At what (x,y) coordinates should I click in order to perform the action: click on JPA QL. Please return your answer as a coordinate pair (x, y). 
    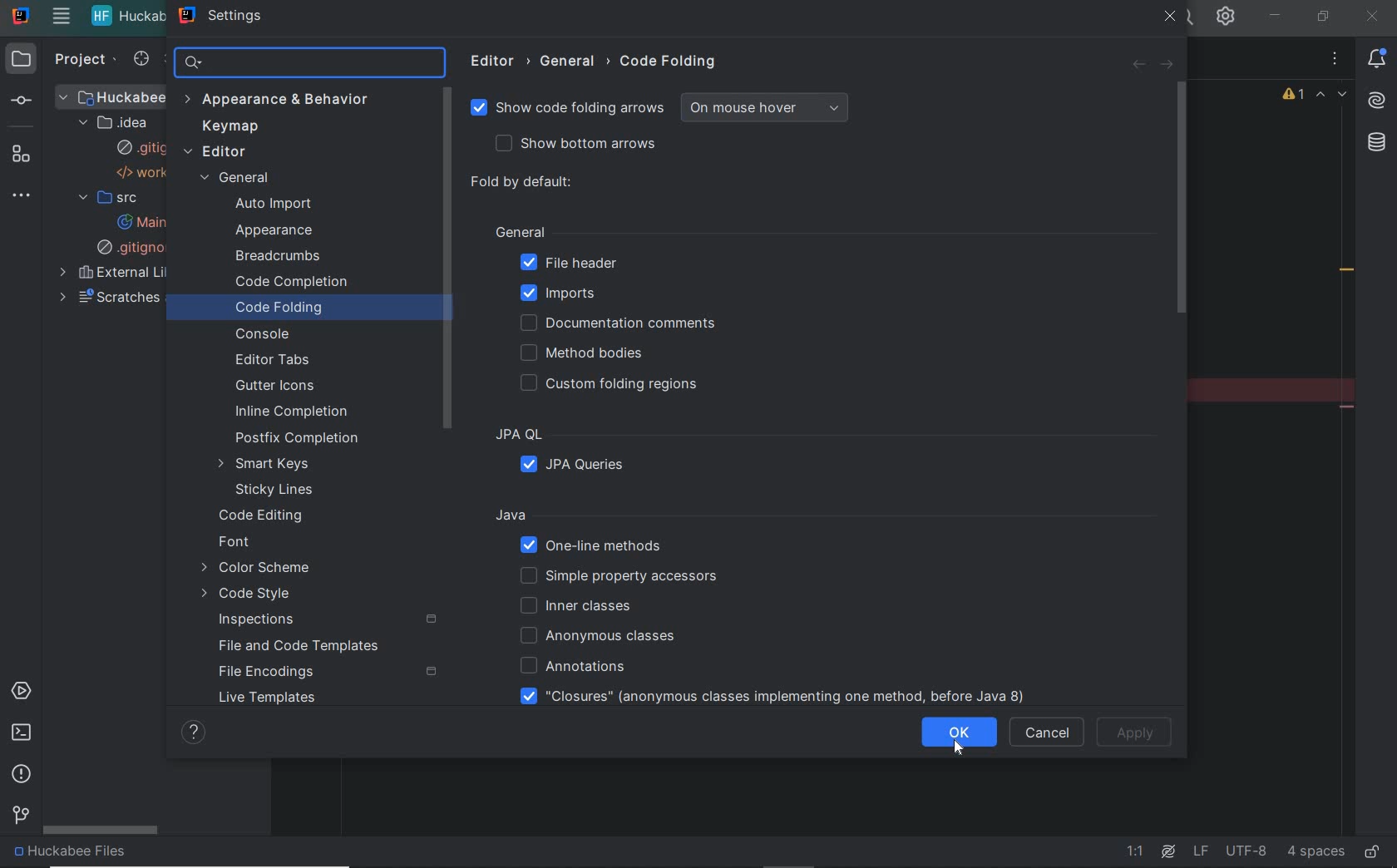
    Looking at the image, I should click on (597, 432).